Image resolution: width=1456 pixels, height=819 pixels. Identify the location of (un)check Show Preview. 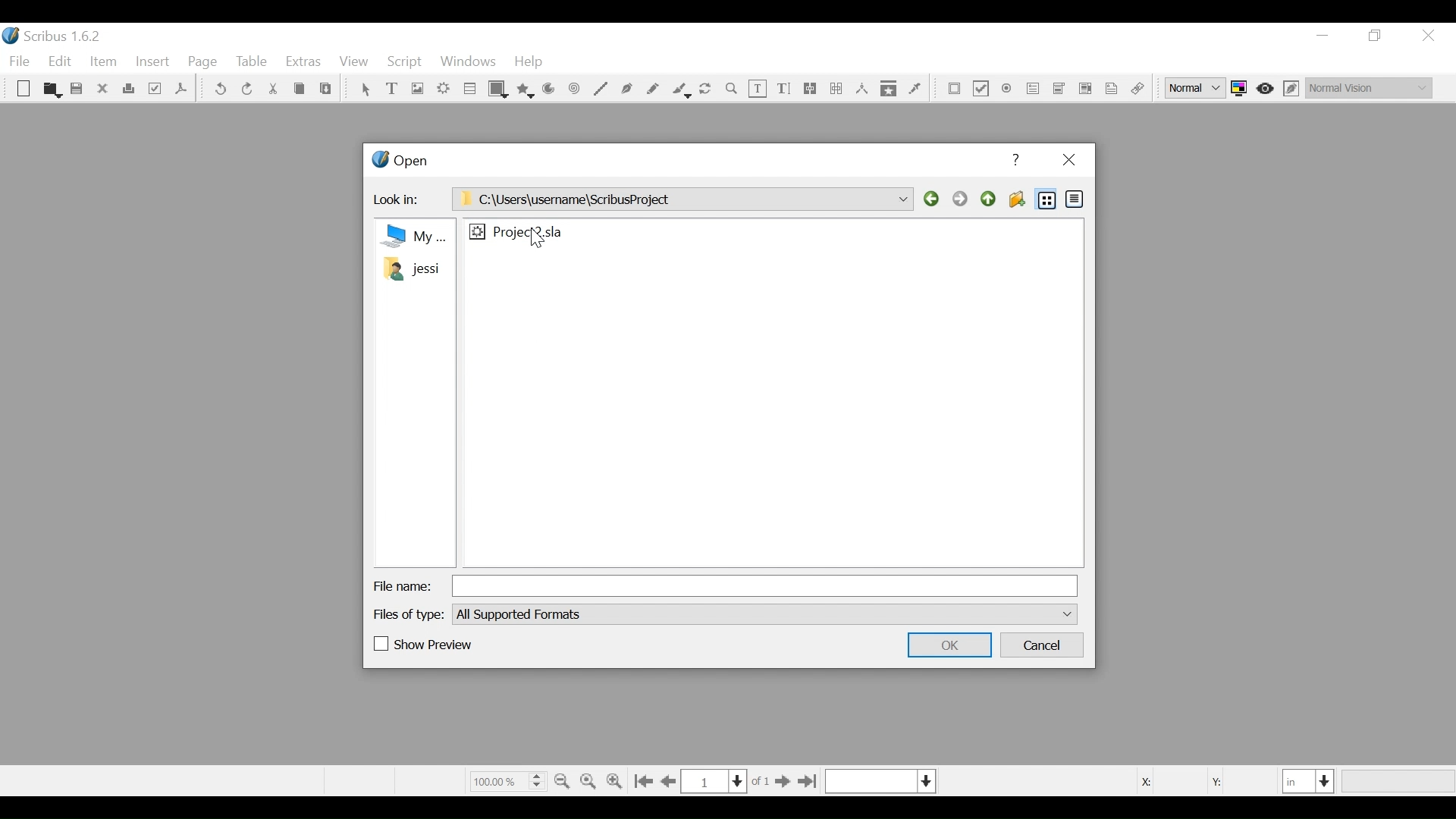
(424, 645).